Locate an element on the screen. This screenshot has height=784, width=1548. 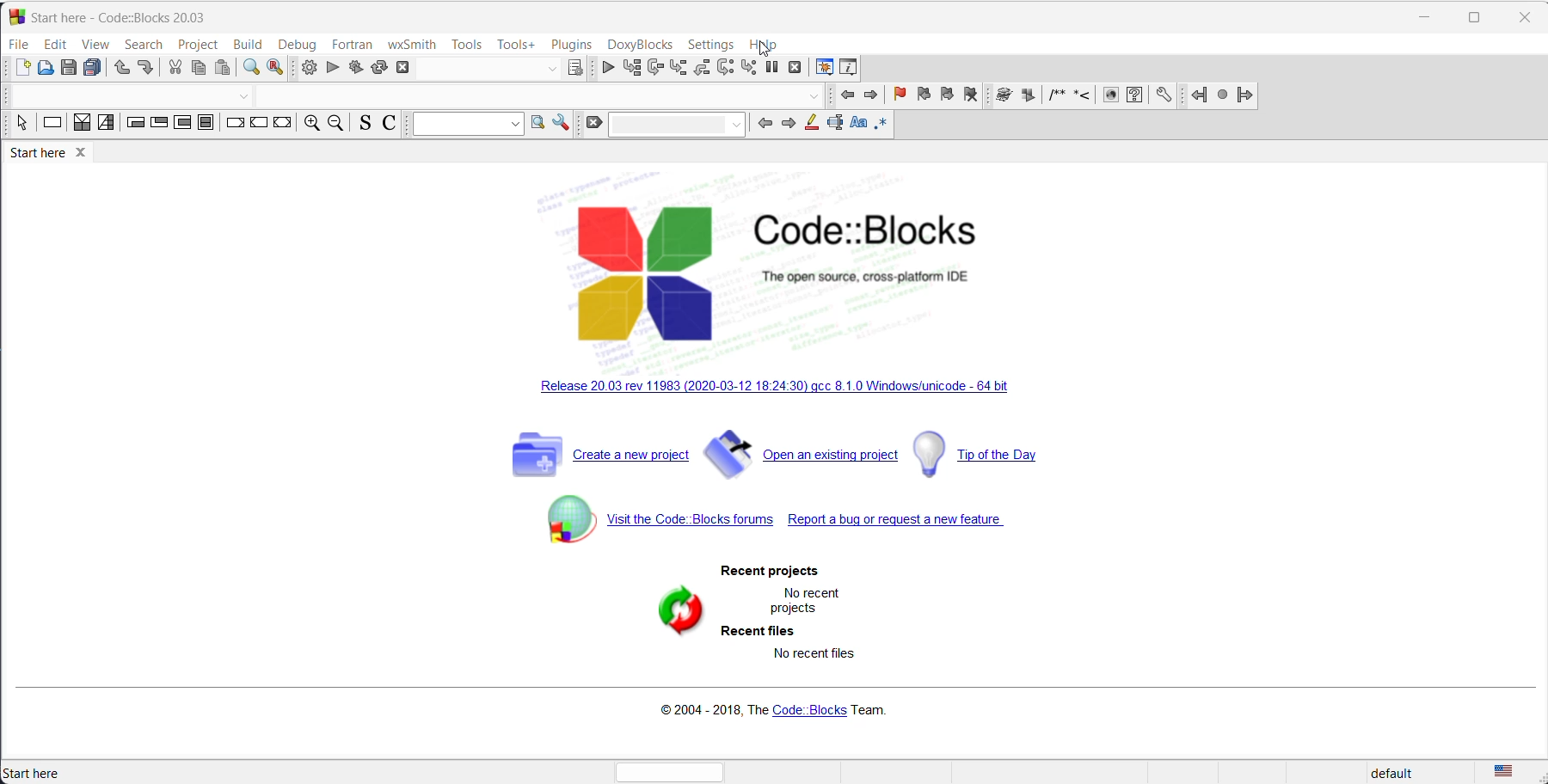
open is located at coordinates (43, 69).